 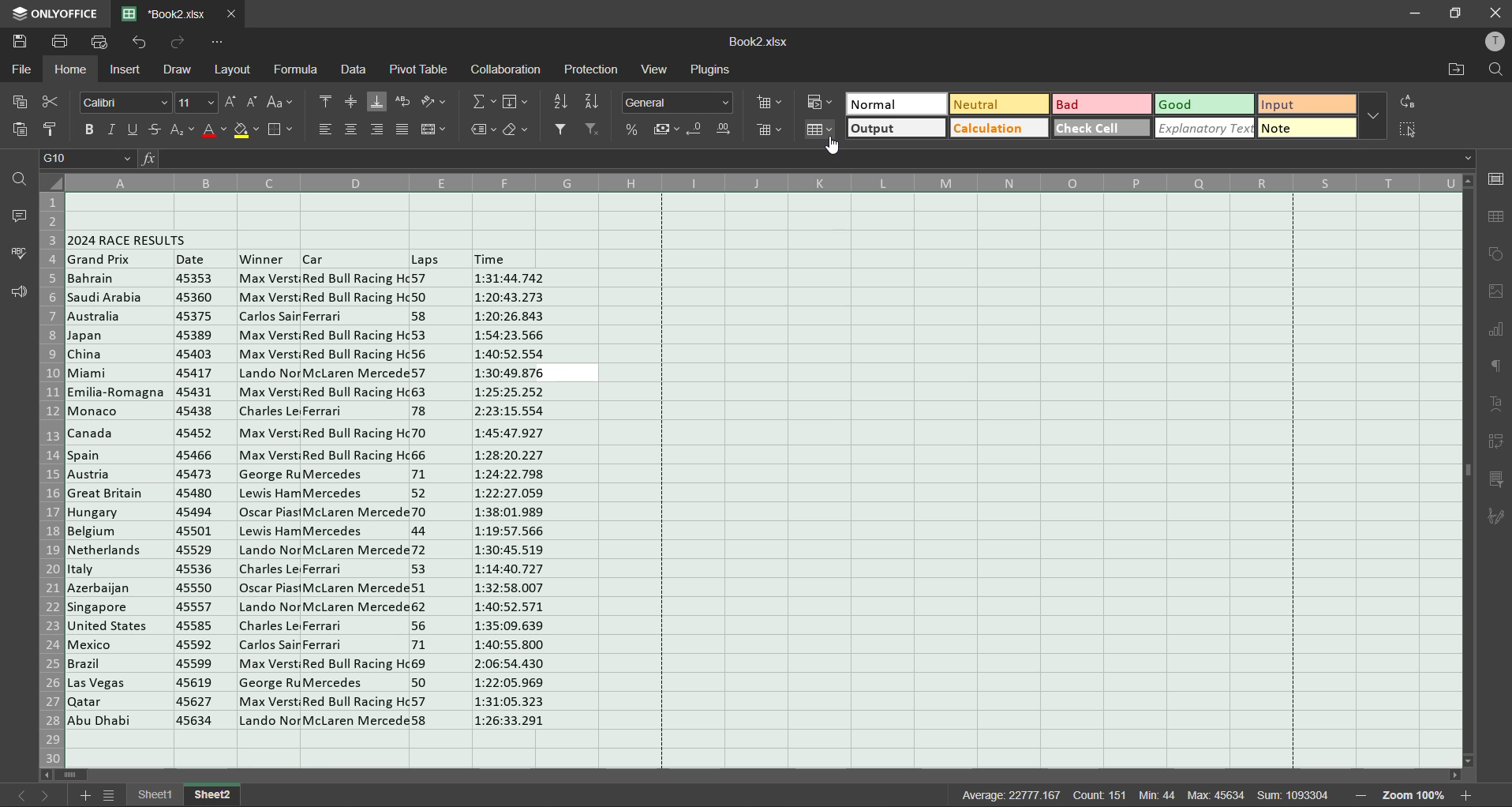 I want to click on table, so click(x=1493, y=220).